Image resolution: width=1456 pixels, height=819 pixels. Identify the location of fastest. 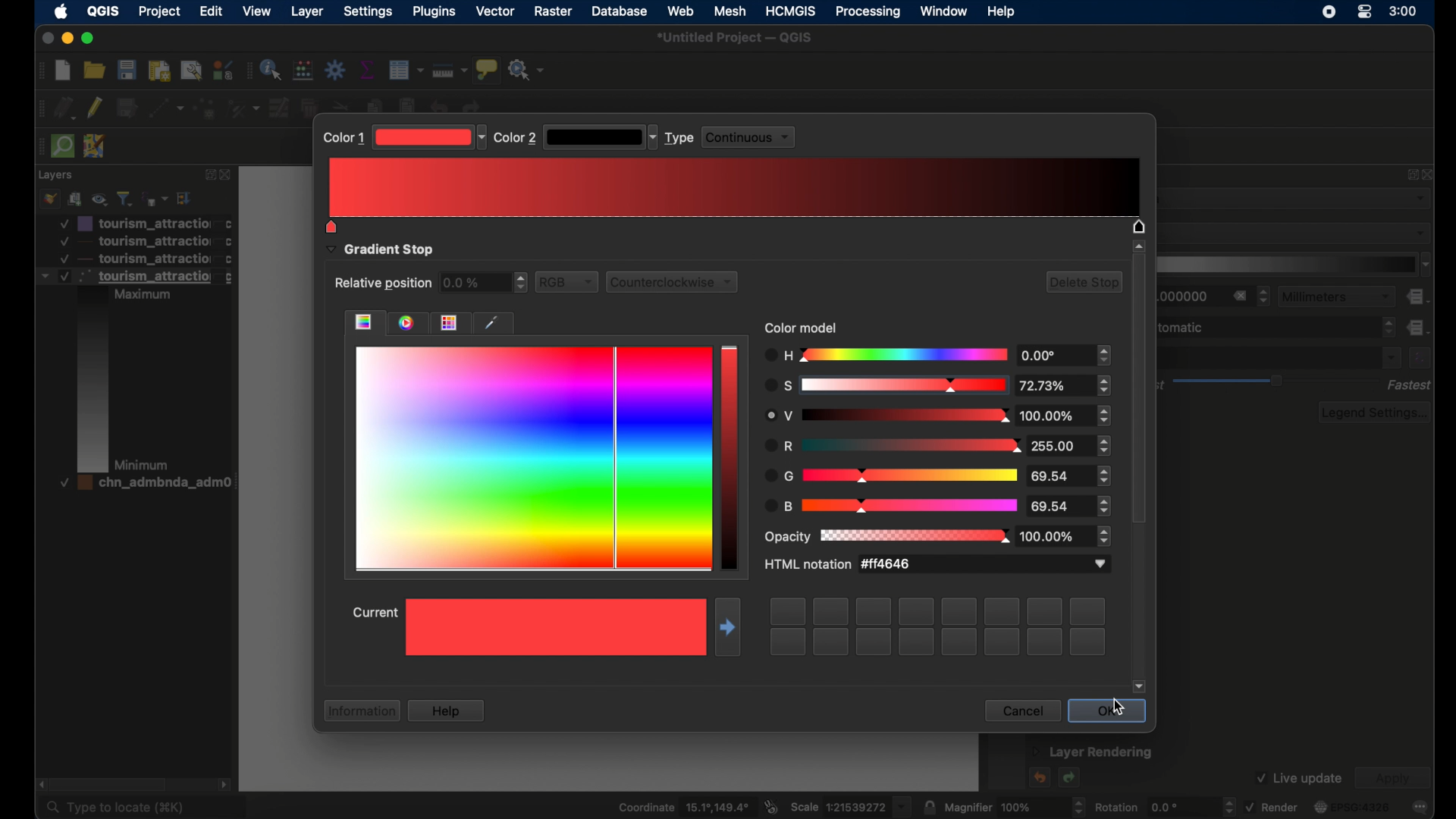
(1410, 385).